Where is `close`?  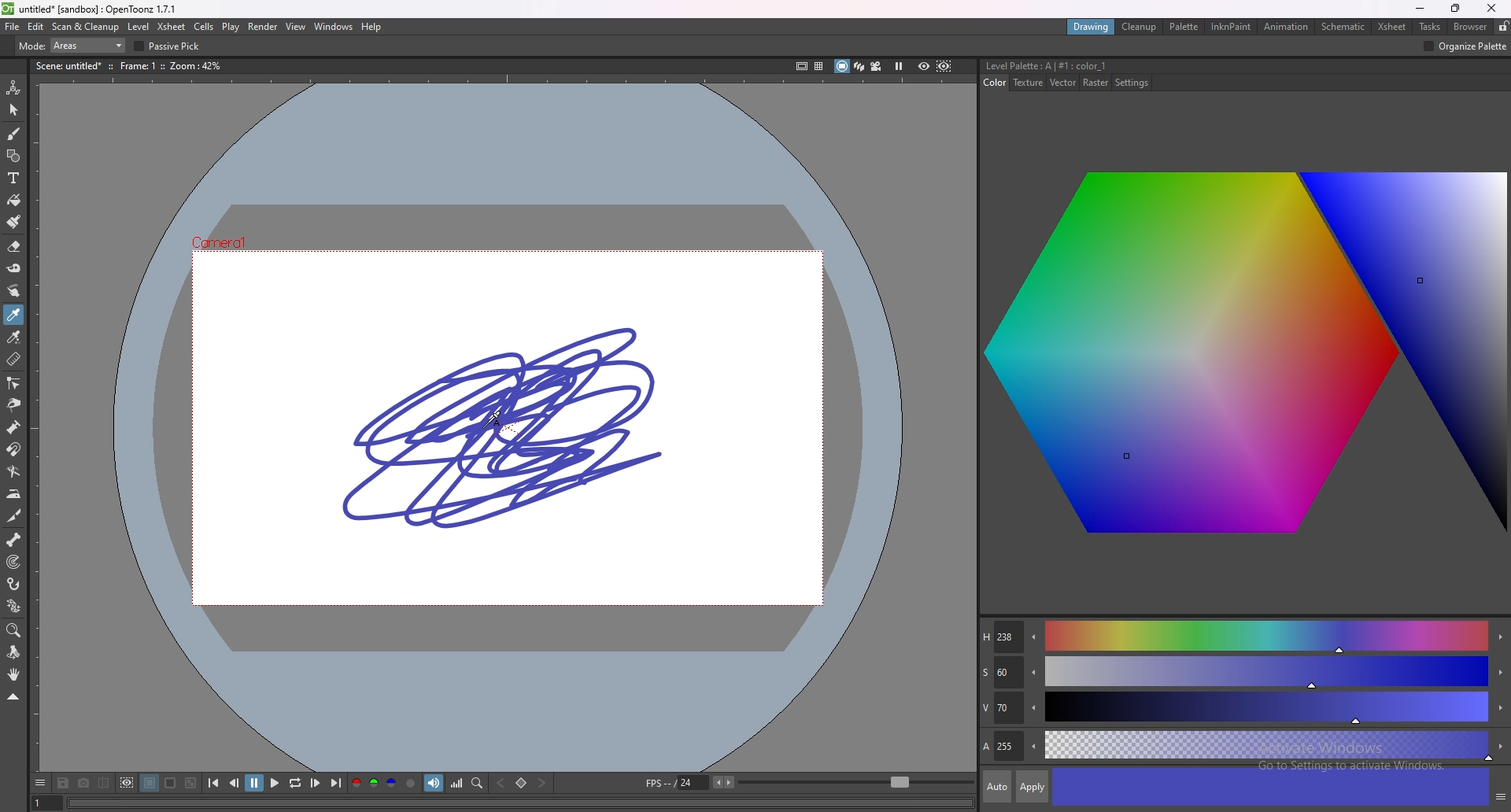 close is located at coordinates (1491, 9).